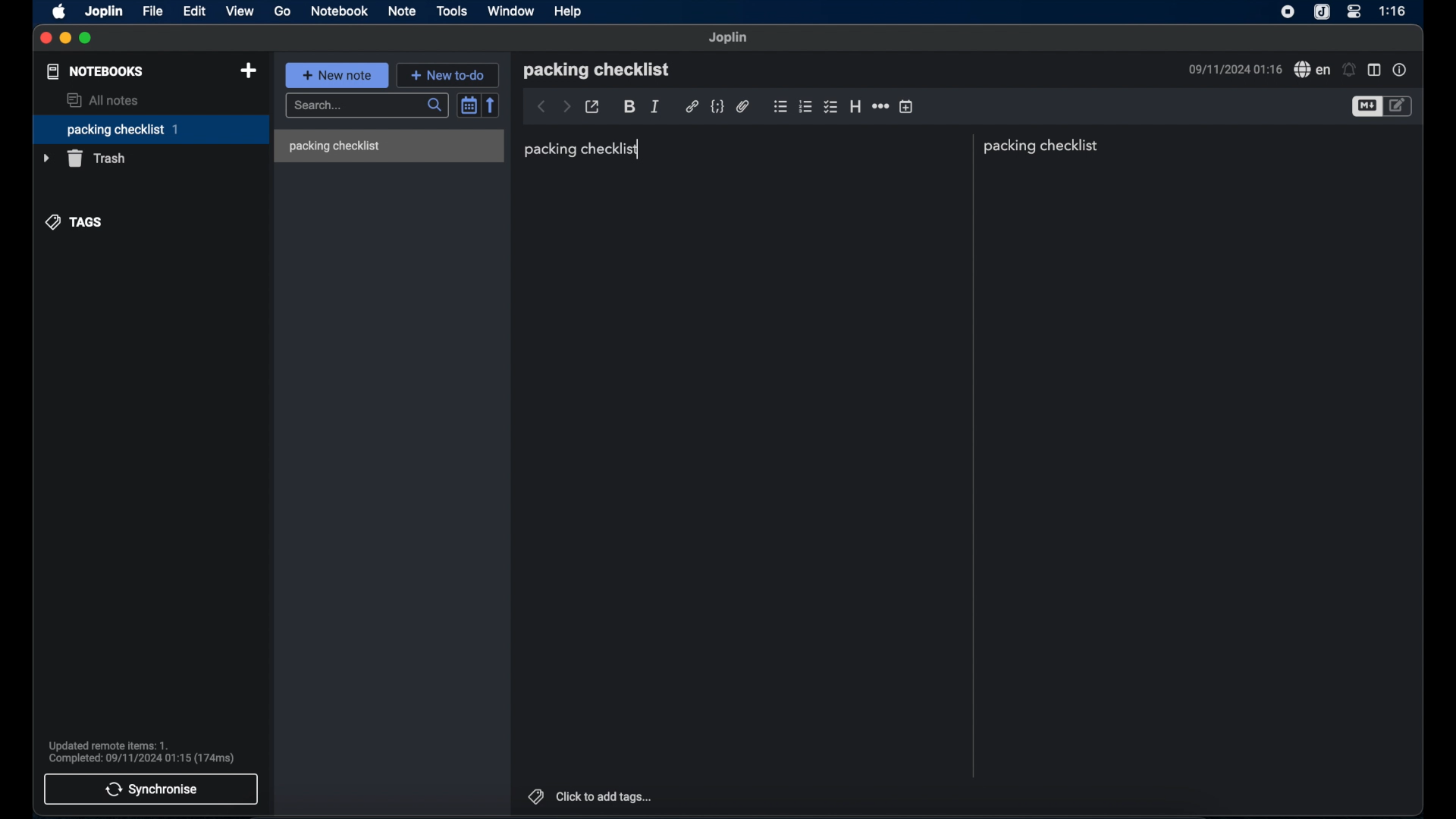  I want to click on packing checklist, so click(582, 149).